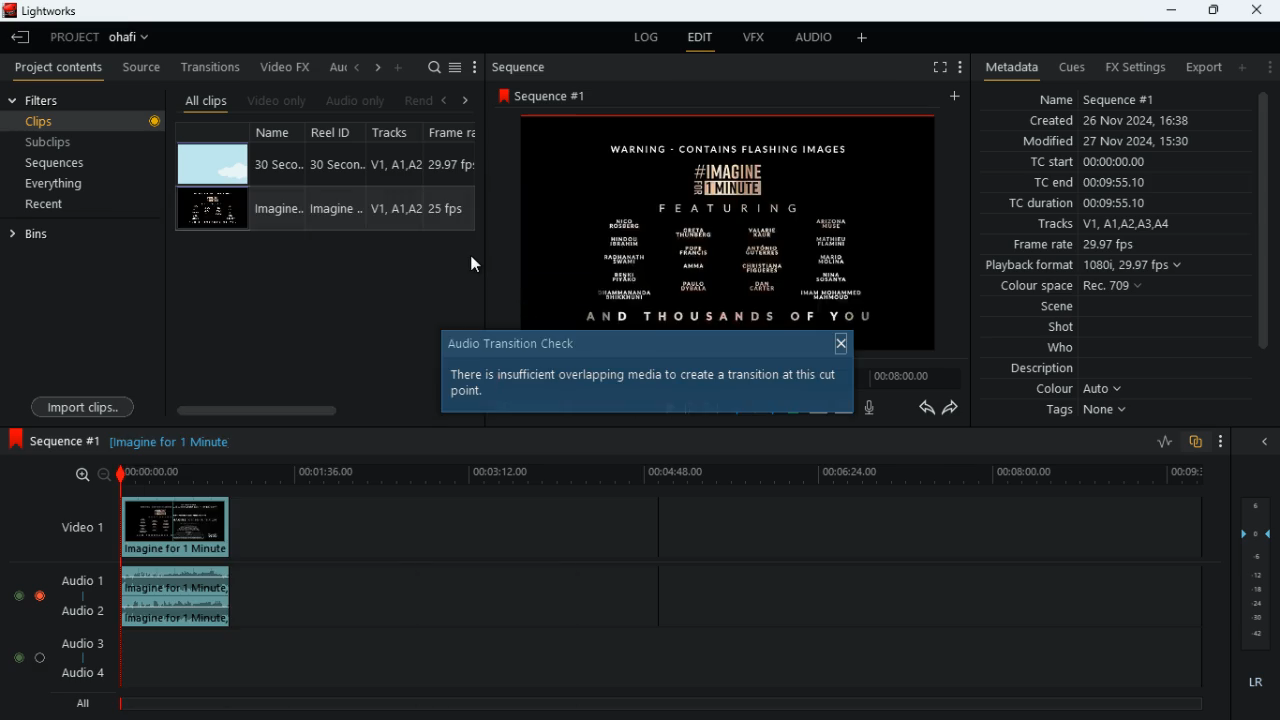  I want to click on audio transition check, so click(523, 345).